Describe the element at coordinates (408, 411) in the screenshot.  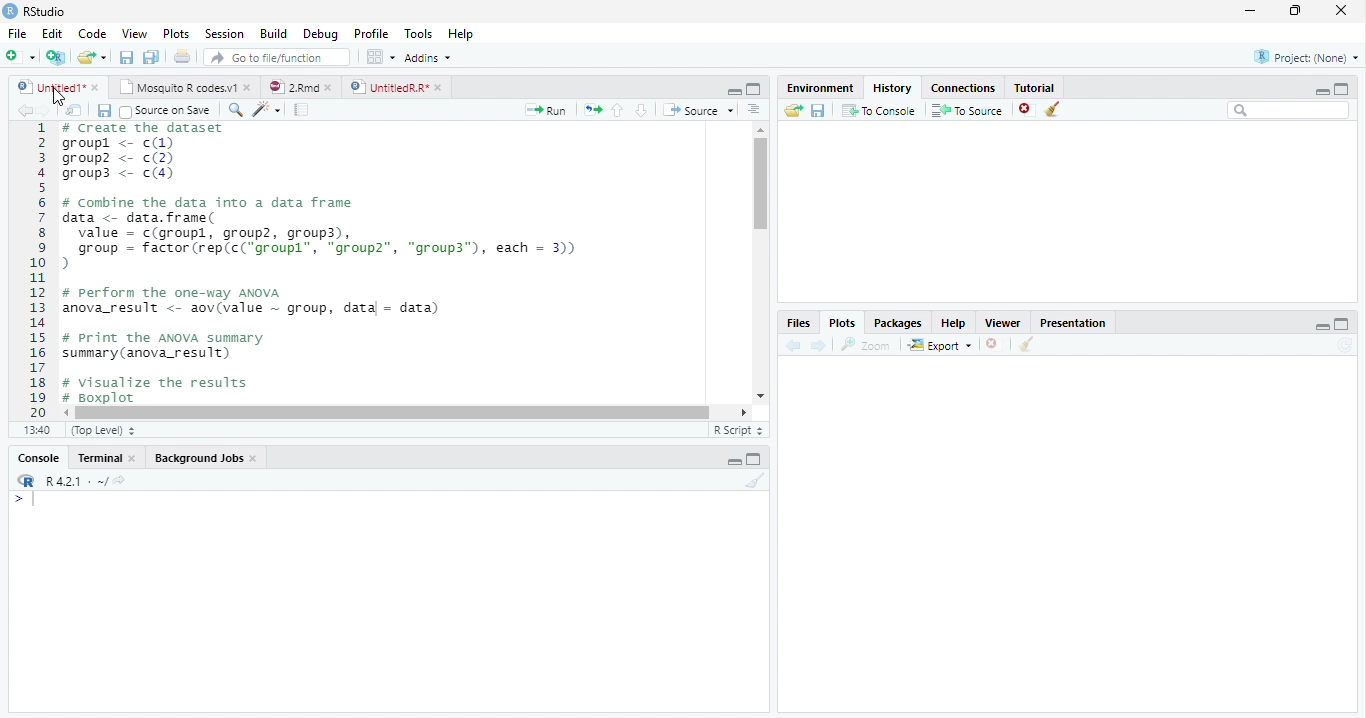
I see `Scrollbar` at that location.